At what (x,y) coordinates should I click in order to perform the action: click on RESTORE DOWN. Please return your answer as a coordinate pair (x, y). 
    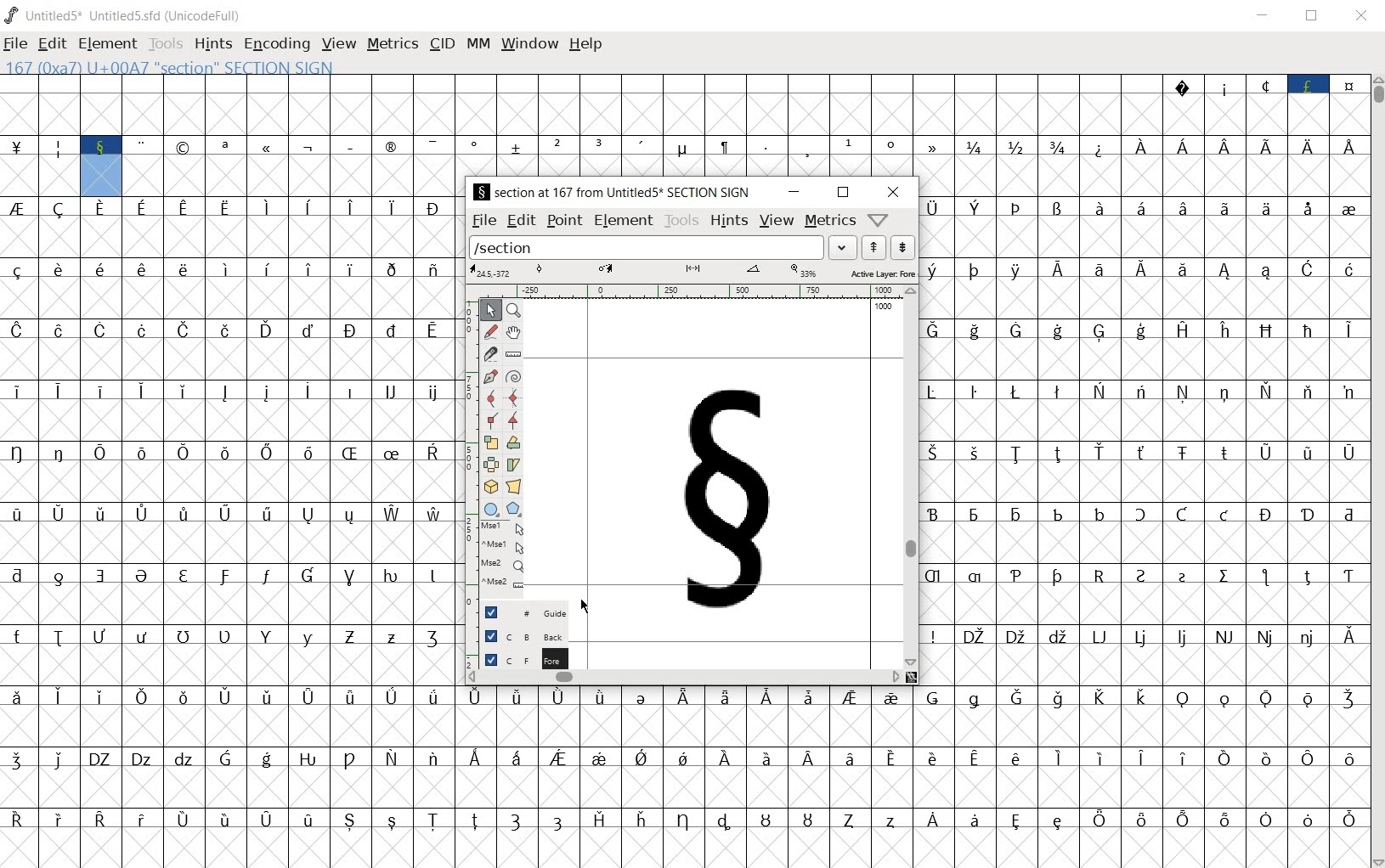
    Looking at the image, I should click on (1312, 17).